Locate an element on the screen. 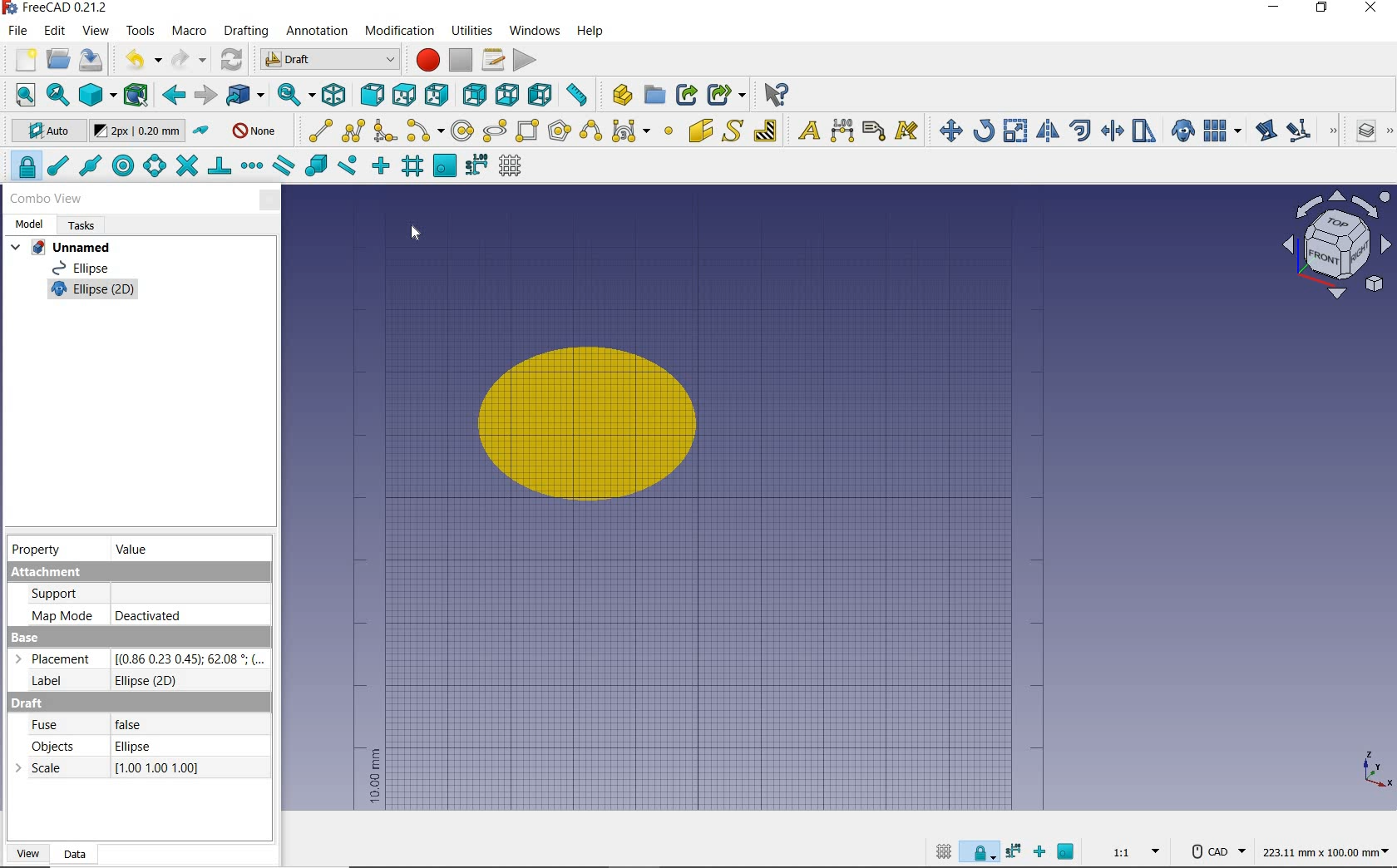  toggle grid is located at coordinates (941, 853).